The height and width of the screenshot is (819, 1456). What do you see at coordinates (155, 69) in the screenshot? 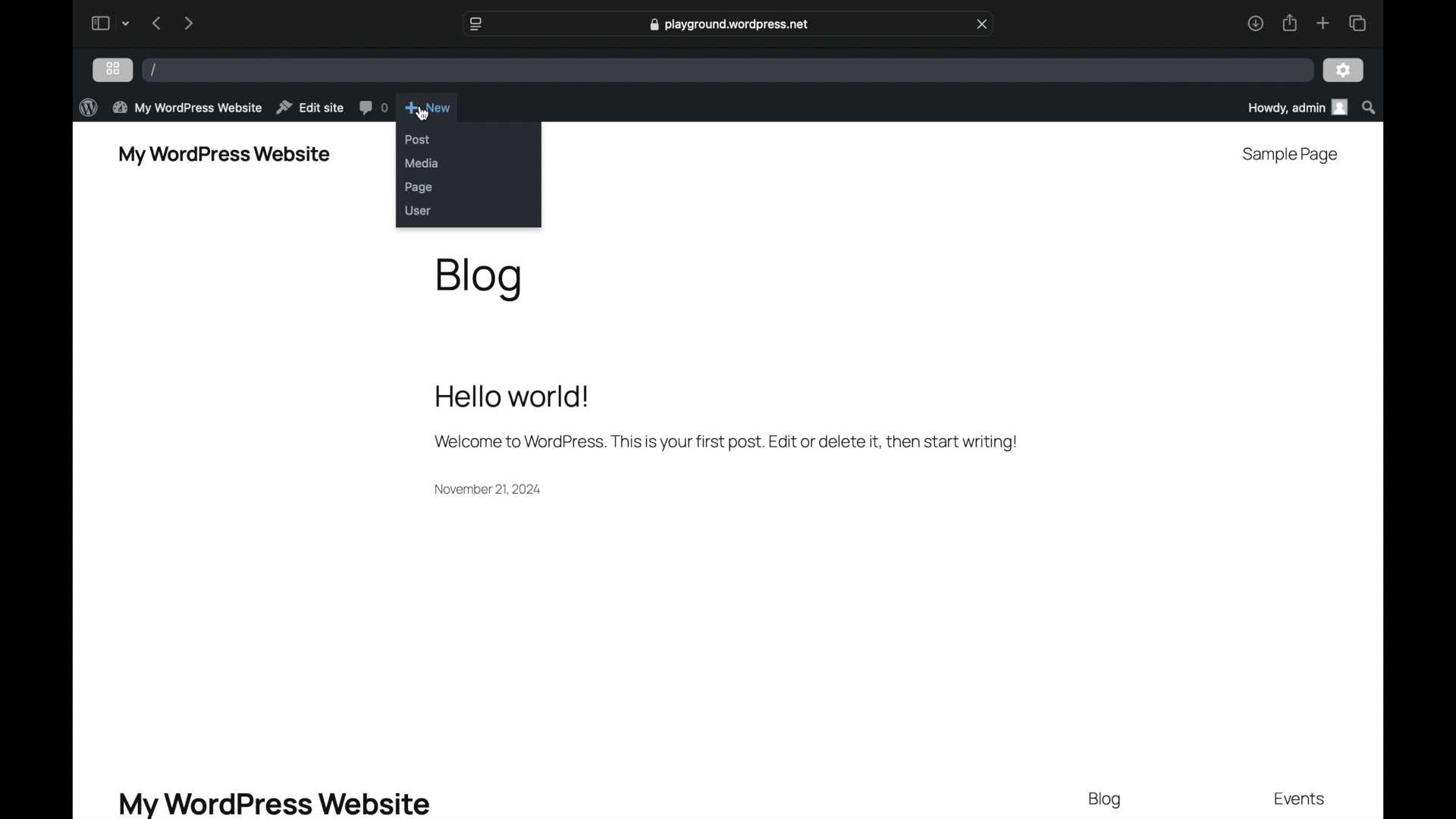
I see `/` at bounding box center [155, 69].